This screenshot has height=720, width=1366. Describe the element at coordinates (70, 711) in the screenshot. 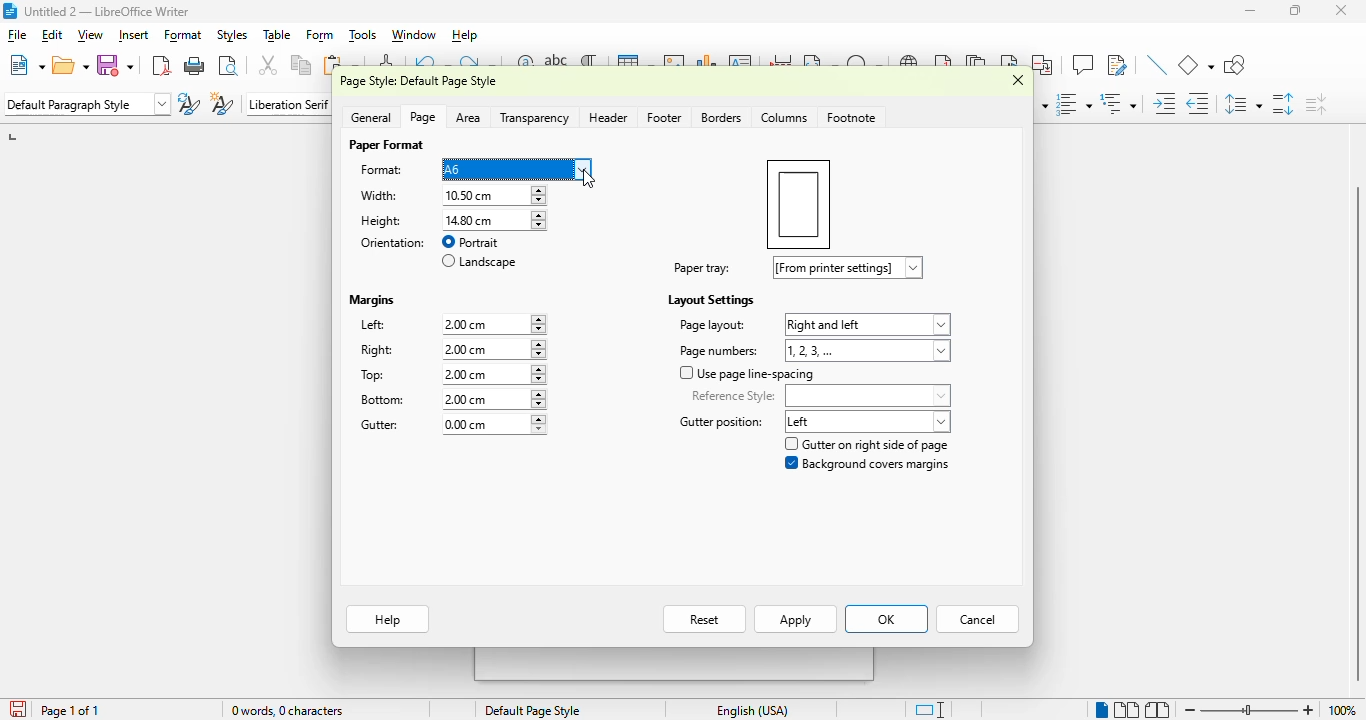

I see `page 1 of 1` at that location.